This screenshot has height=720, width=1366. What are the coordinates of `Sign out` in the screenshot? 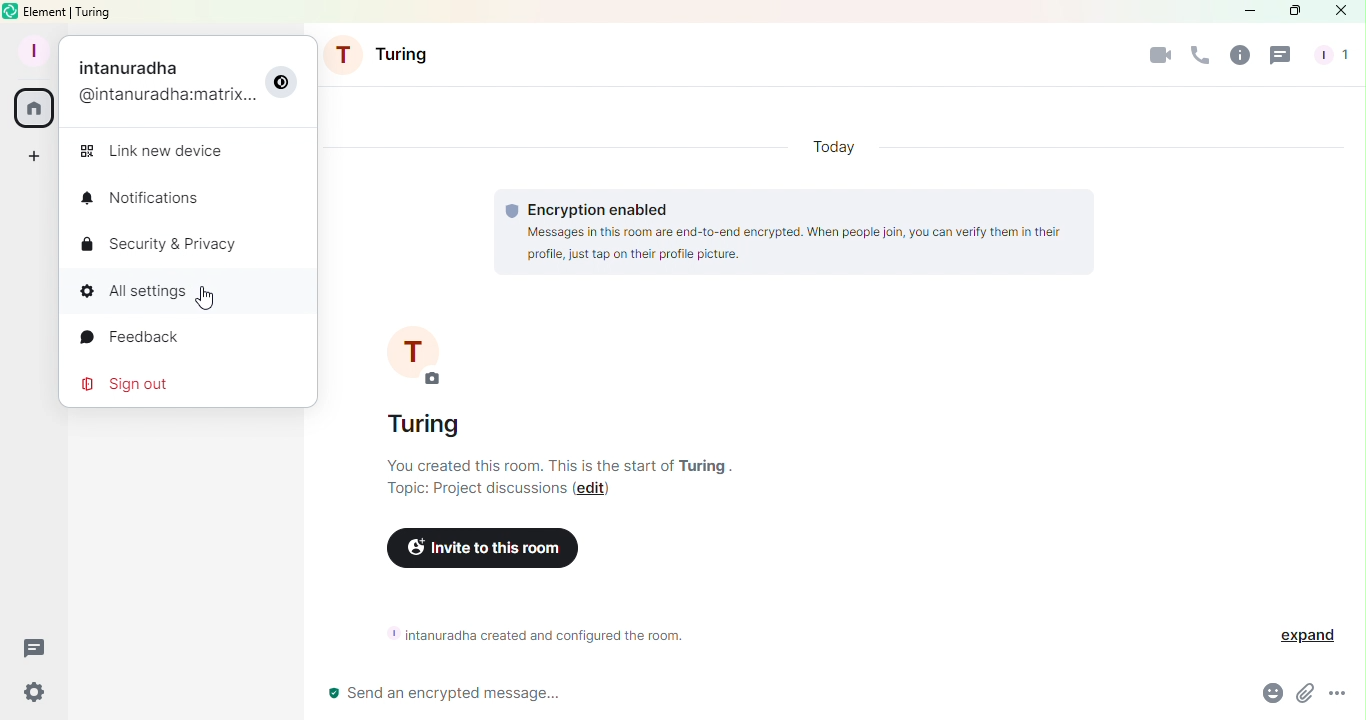 It's located at (134, 384).